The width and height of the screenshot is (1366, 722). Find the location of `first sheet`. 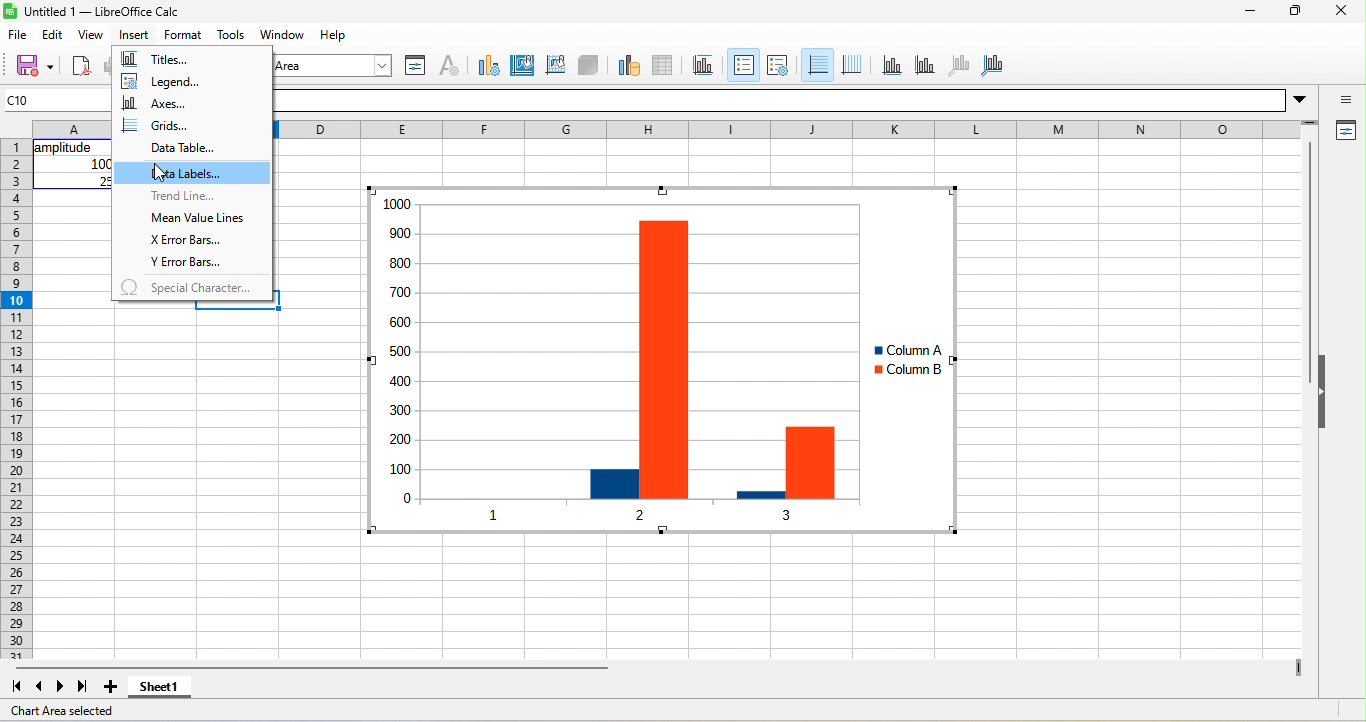

first sheet is located at coordinates (14, 685).